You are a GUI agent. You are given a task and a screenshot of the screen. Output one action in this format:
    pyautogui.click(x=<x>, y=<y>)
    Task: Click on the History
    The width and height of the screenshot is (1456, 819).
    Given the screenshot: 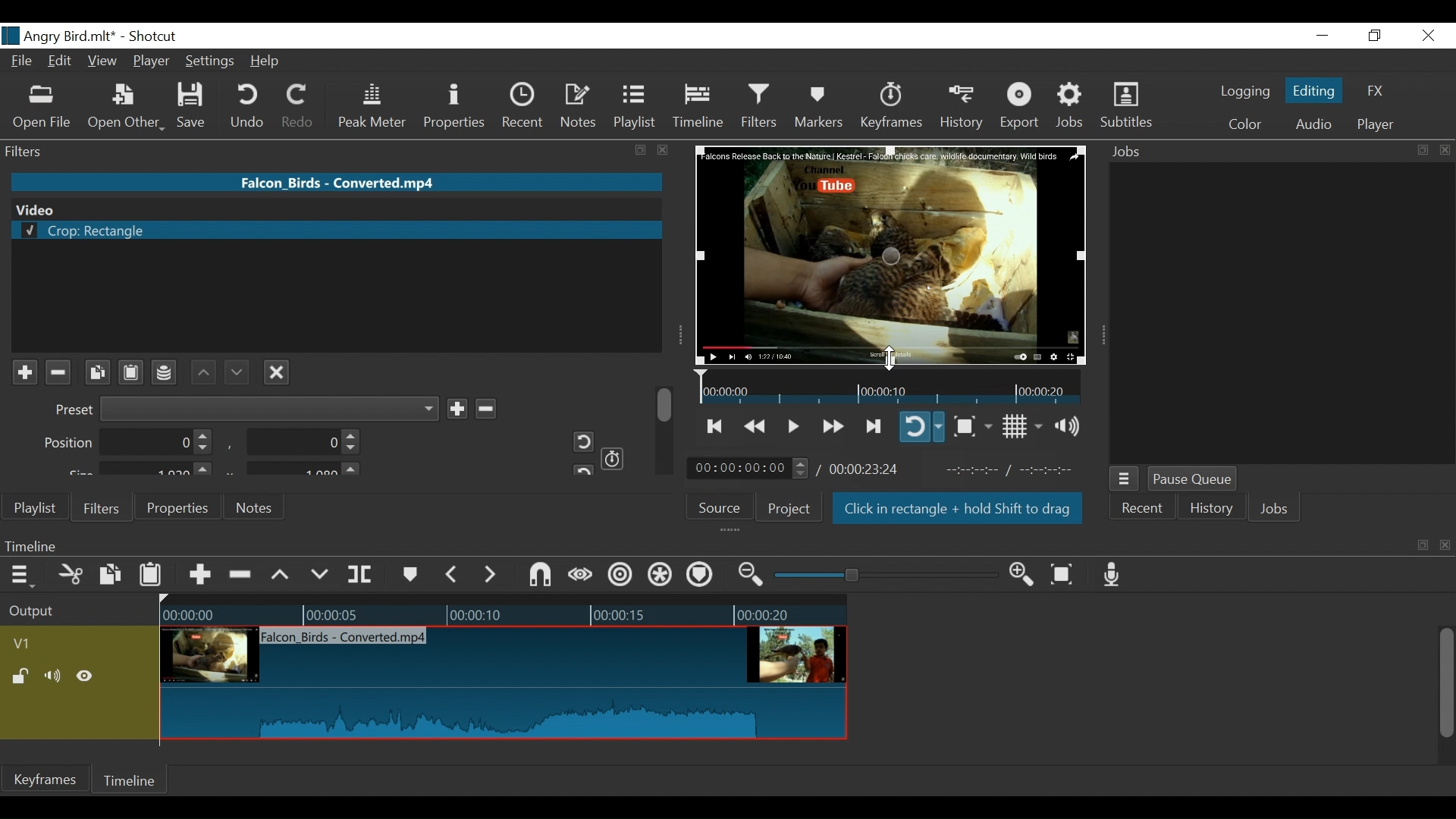 What is the action you would take?
    pyautogui.click(x=1212, y=510)
    